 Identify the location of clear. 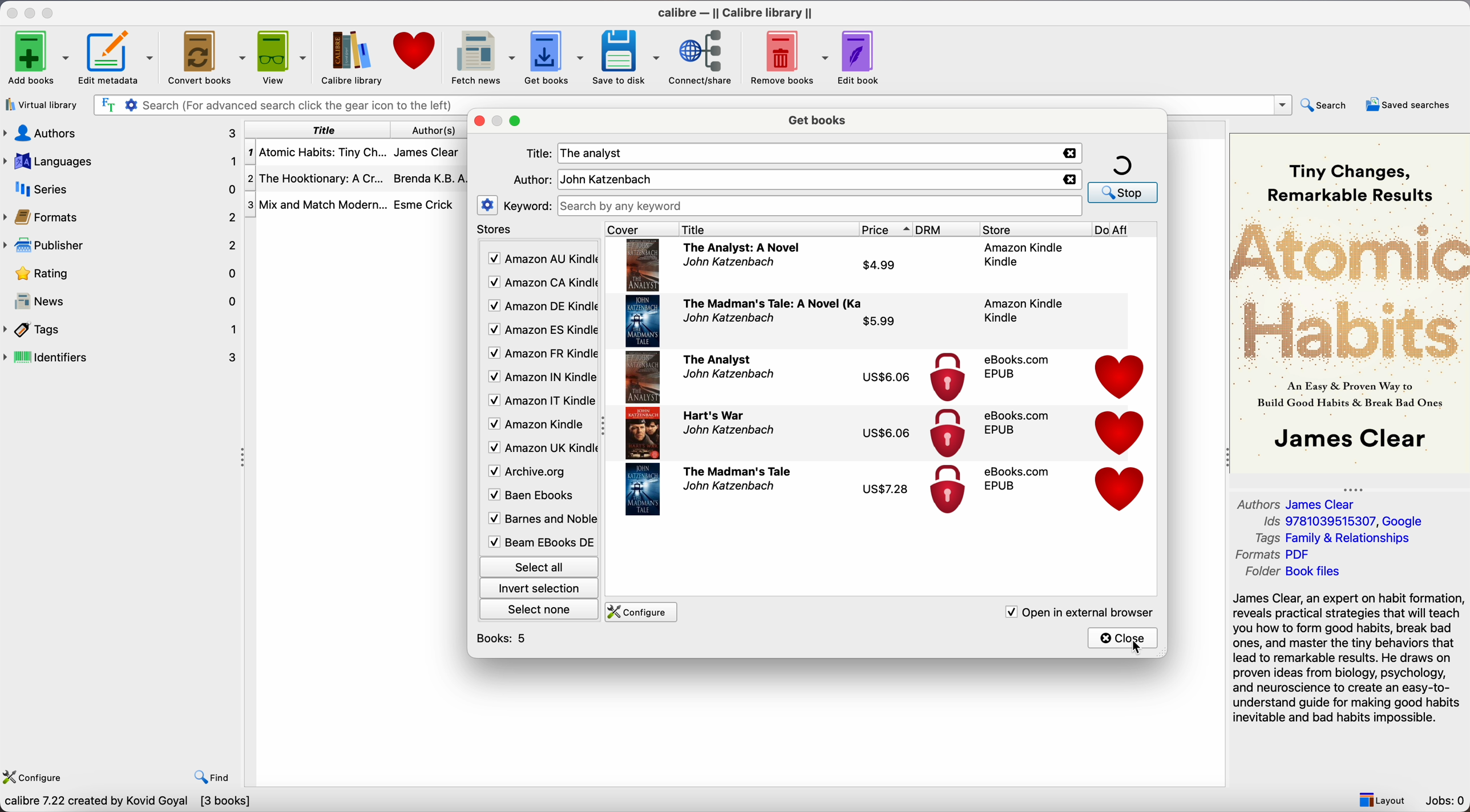
(1071, 180).